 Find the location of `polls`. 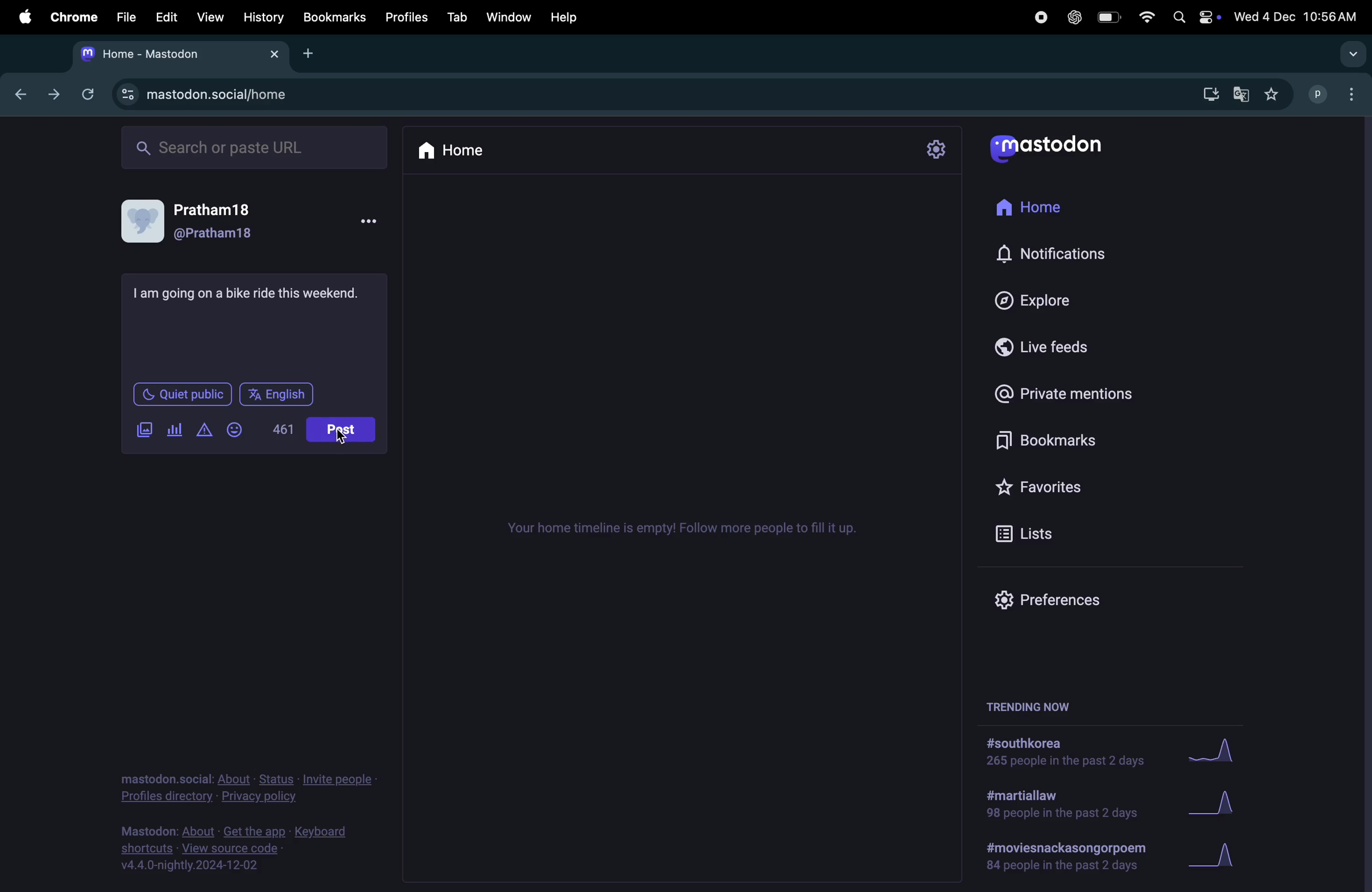

polls is located at coordinates (174, 432).